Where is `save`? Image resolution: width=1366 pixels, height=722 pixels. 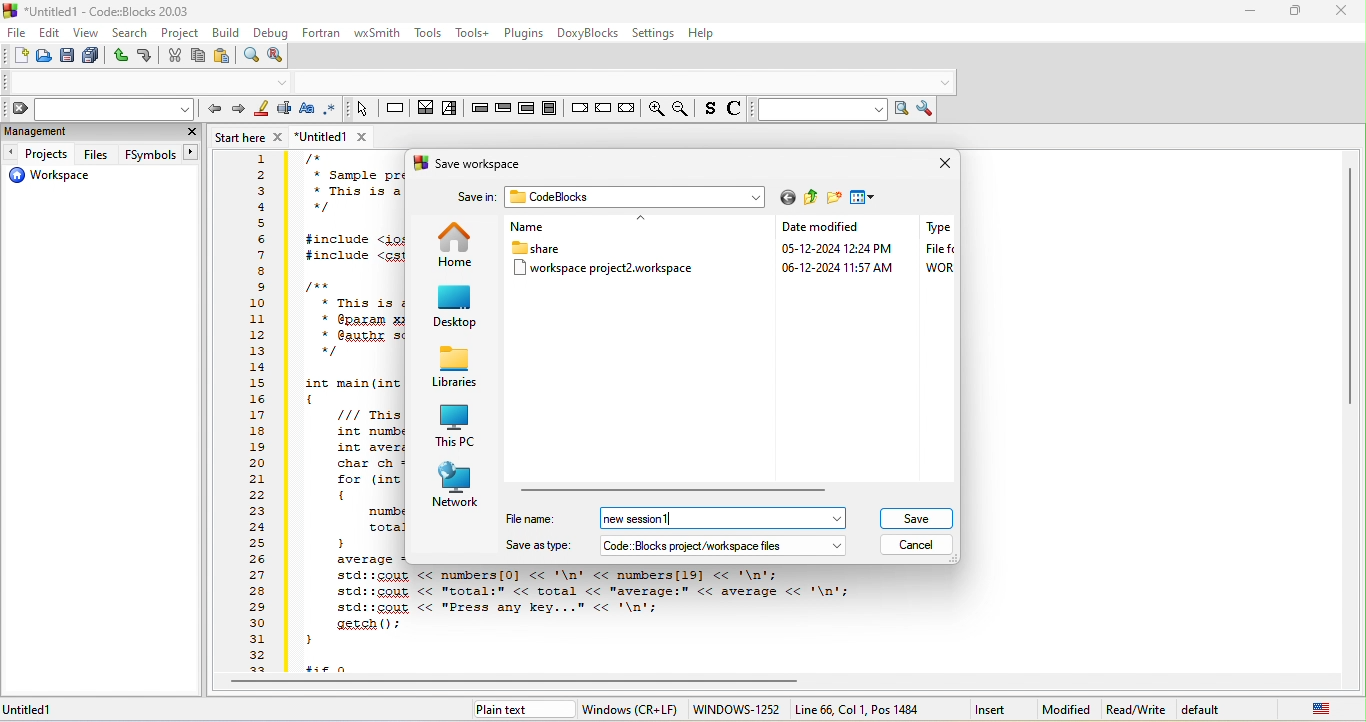
save is located at coordinates (66, 57).